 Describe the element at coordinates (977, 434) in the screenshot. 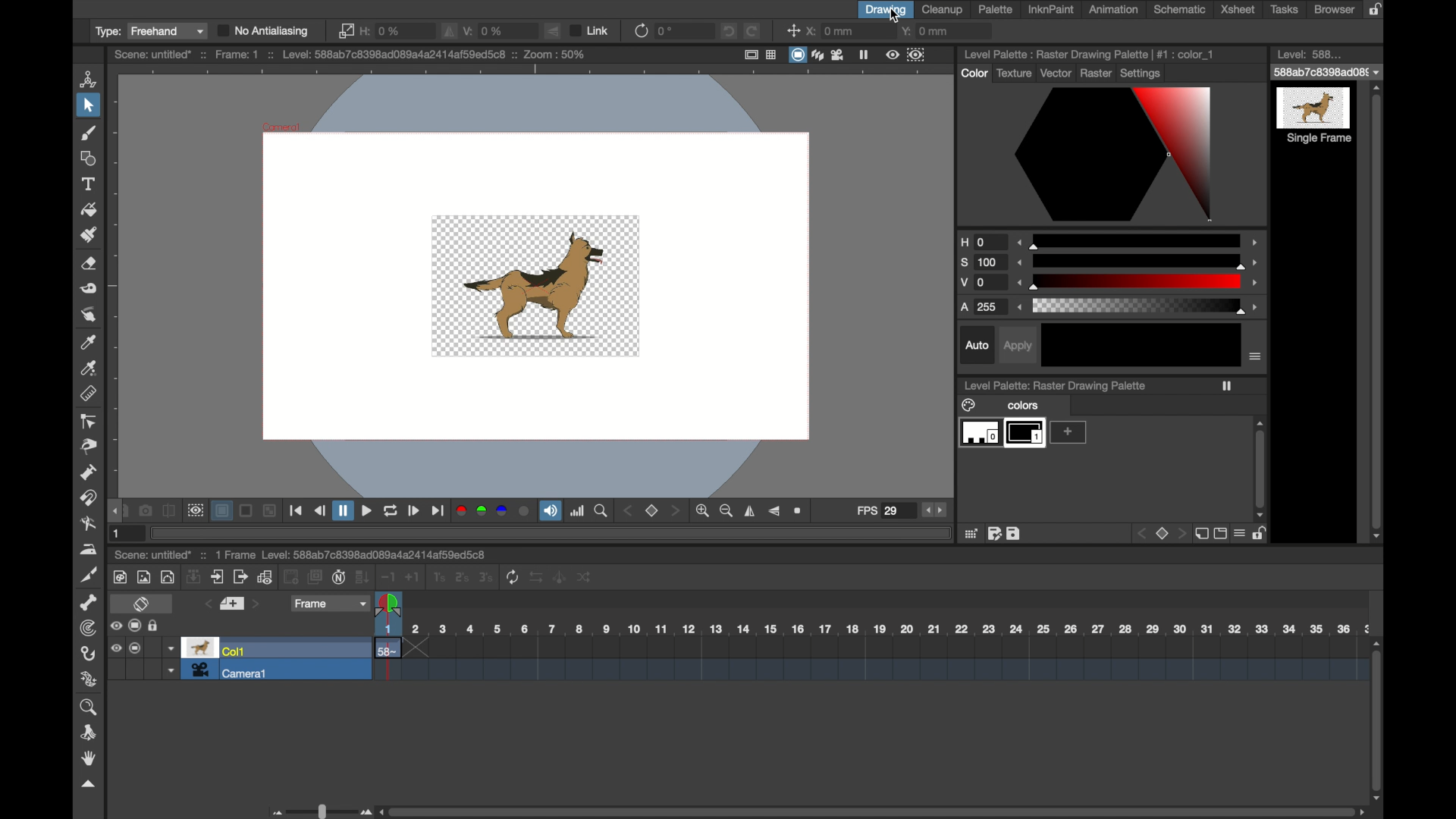

I see `layers preview` at that location.